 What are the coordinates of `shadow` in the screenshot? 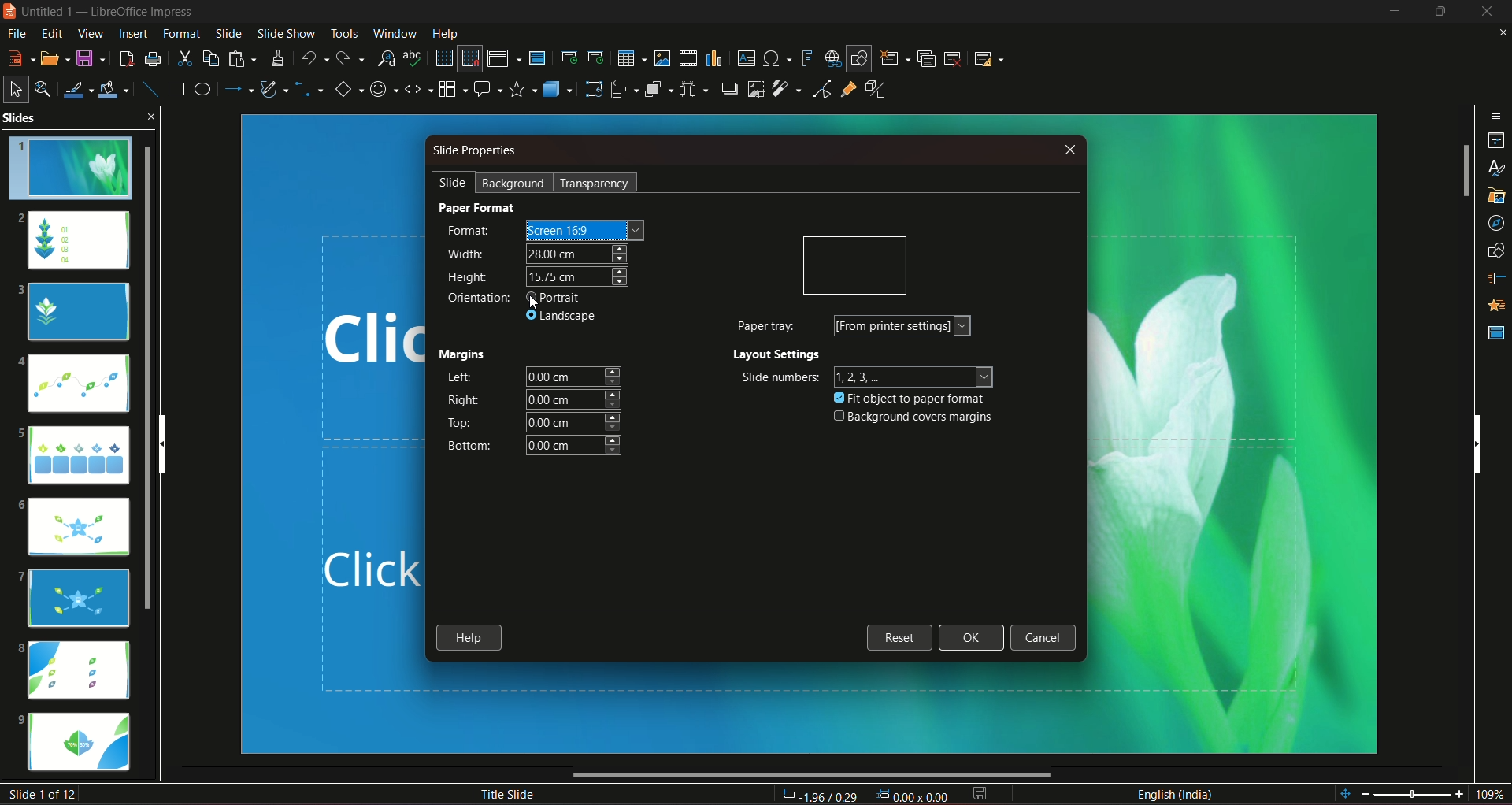 It's located at (729, 89).